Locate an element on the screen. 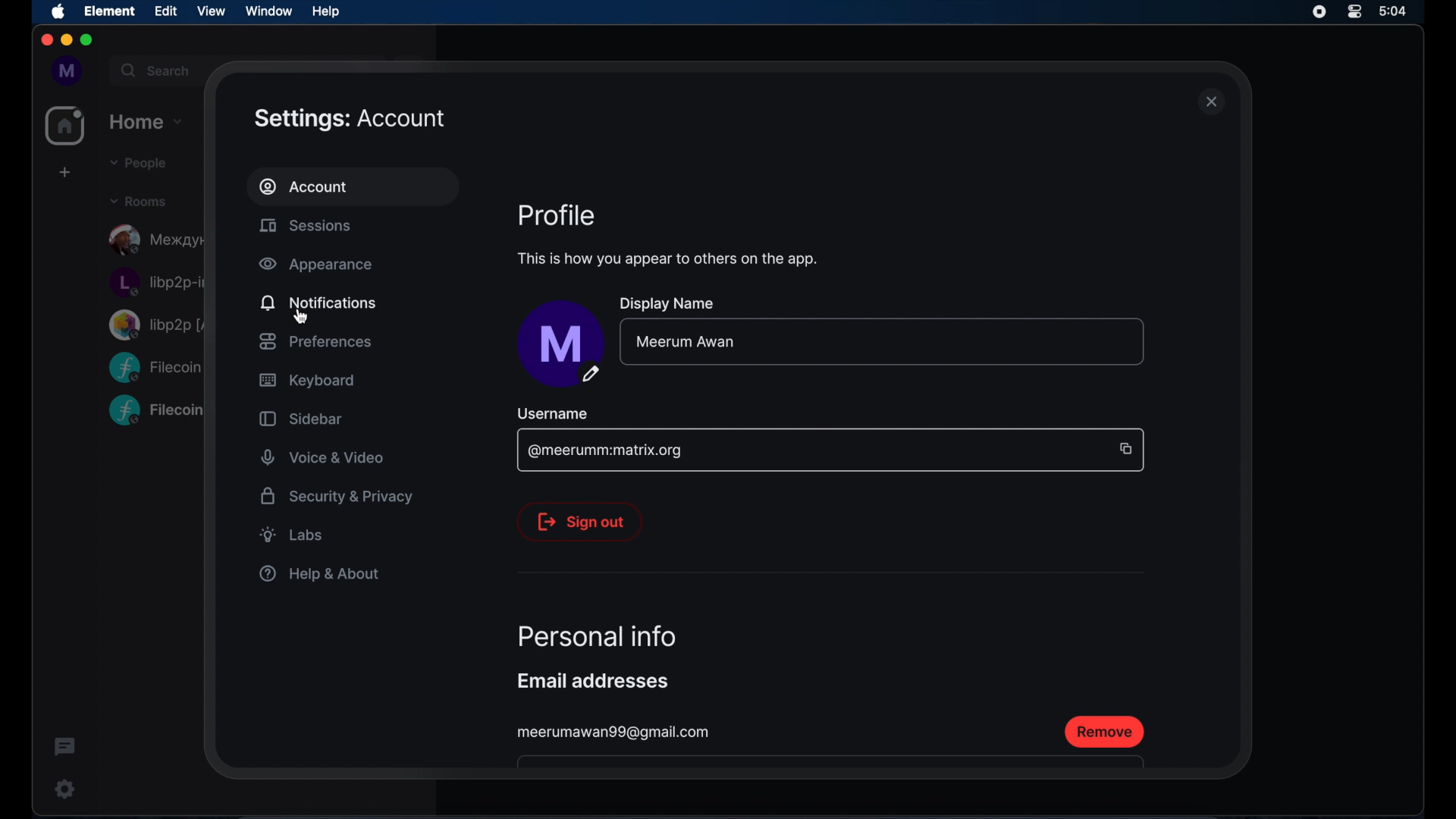  close is located at coordinates (1212, 102).